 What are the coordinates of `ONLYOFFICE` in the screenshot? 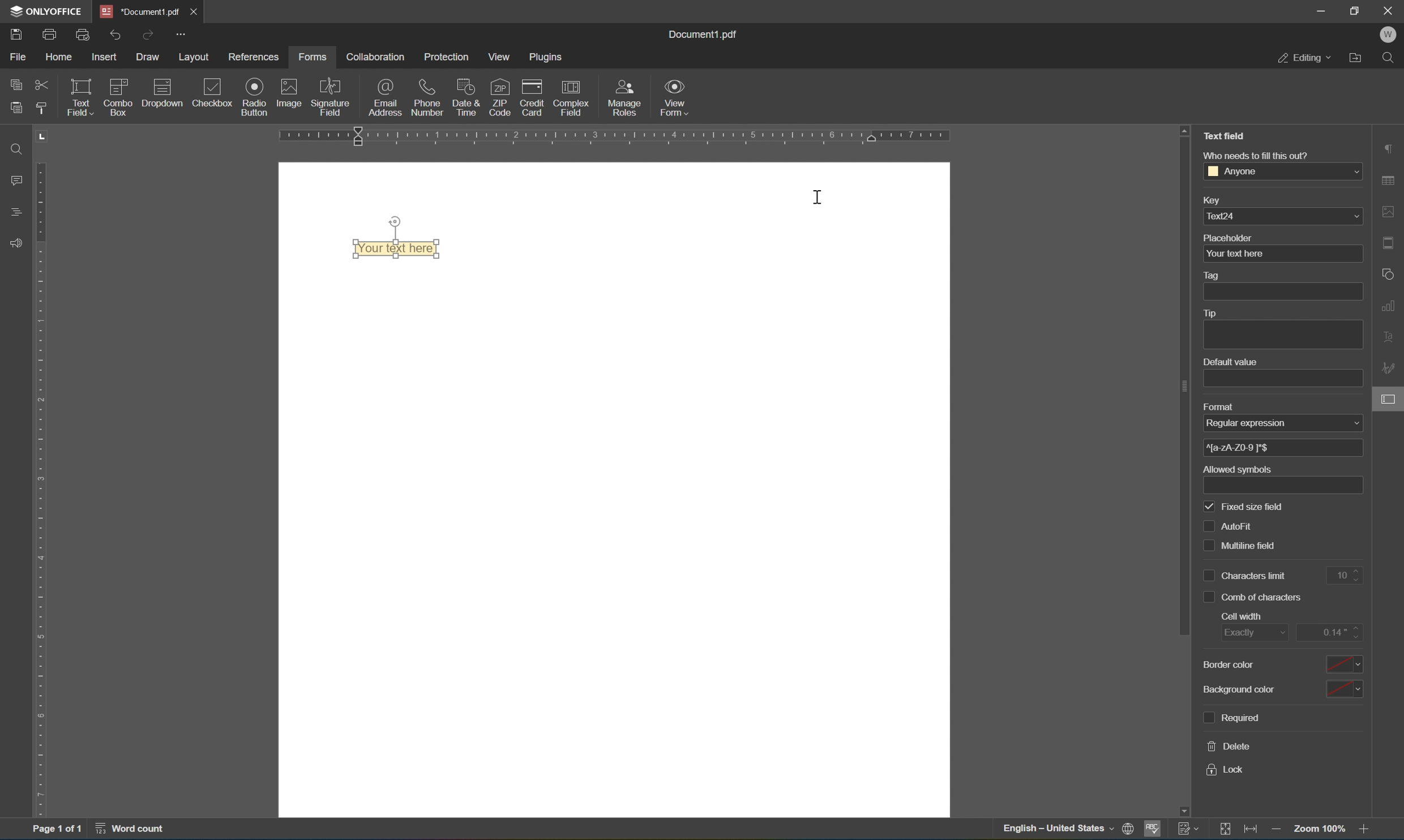 It's located at (46, 11).